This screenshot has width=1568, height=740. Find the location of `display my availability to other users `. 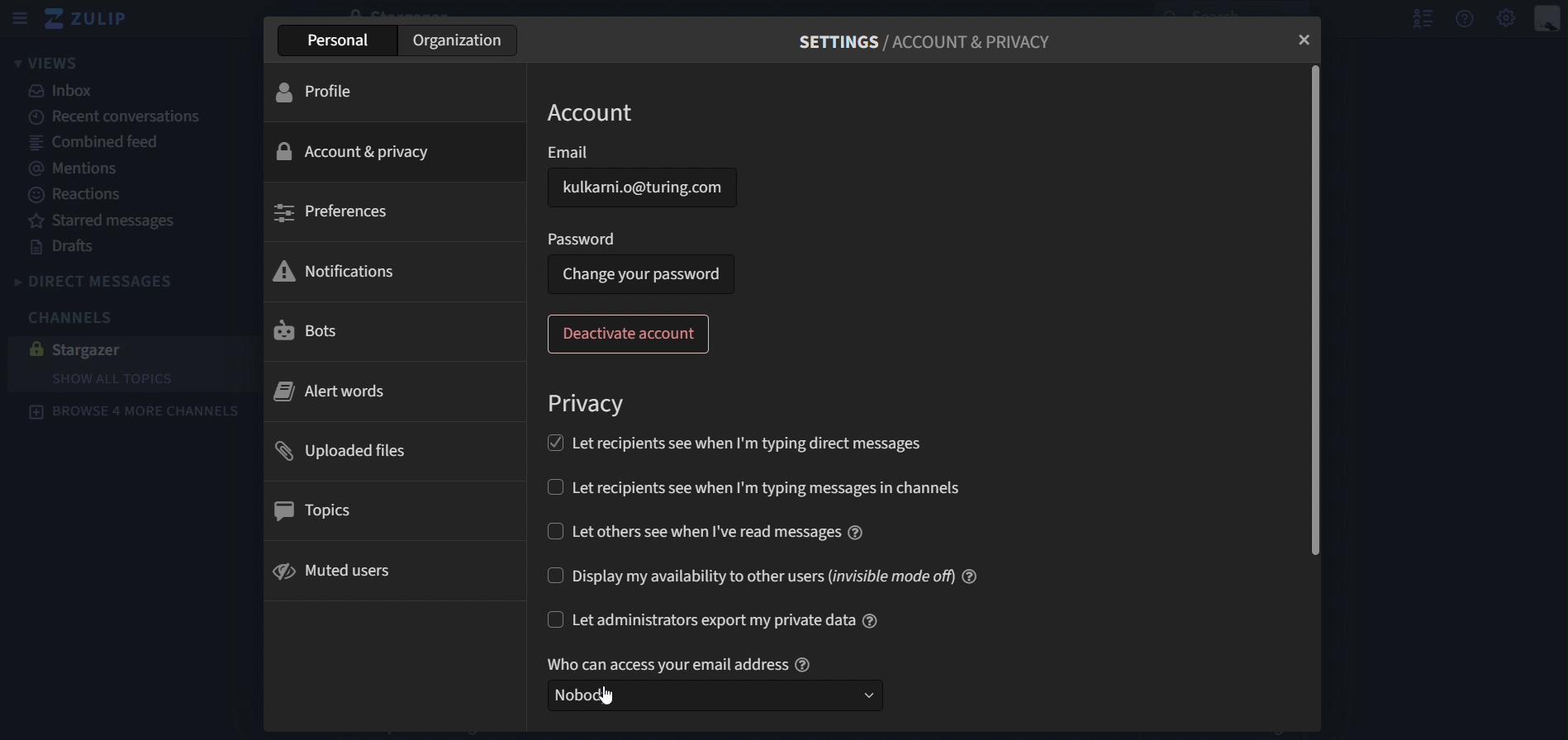

display my availability to other users  is located at coordinates (768, 574).